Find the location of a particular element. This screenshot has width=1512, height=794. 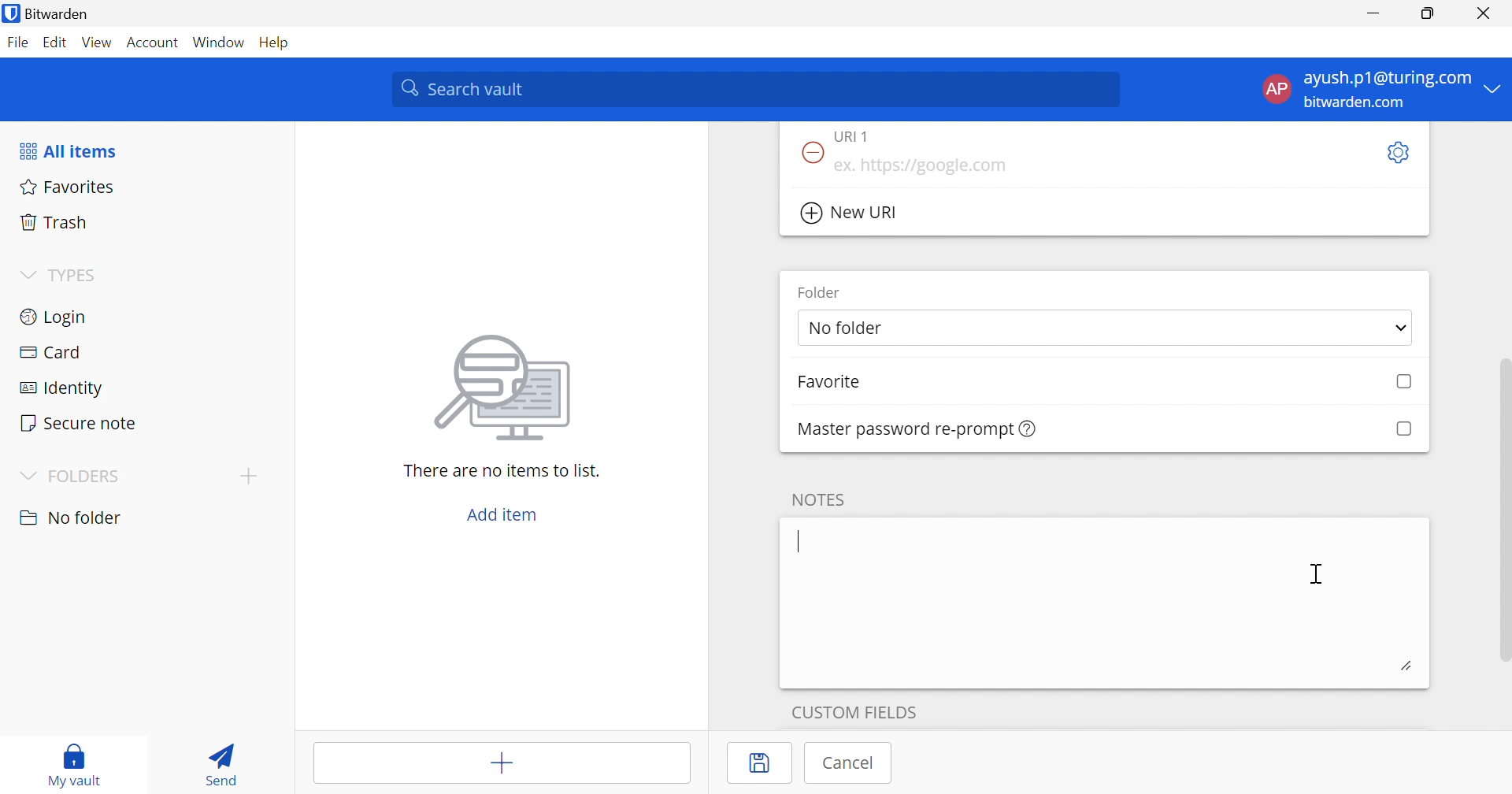

Search vault is located at coordinates (754, 89).